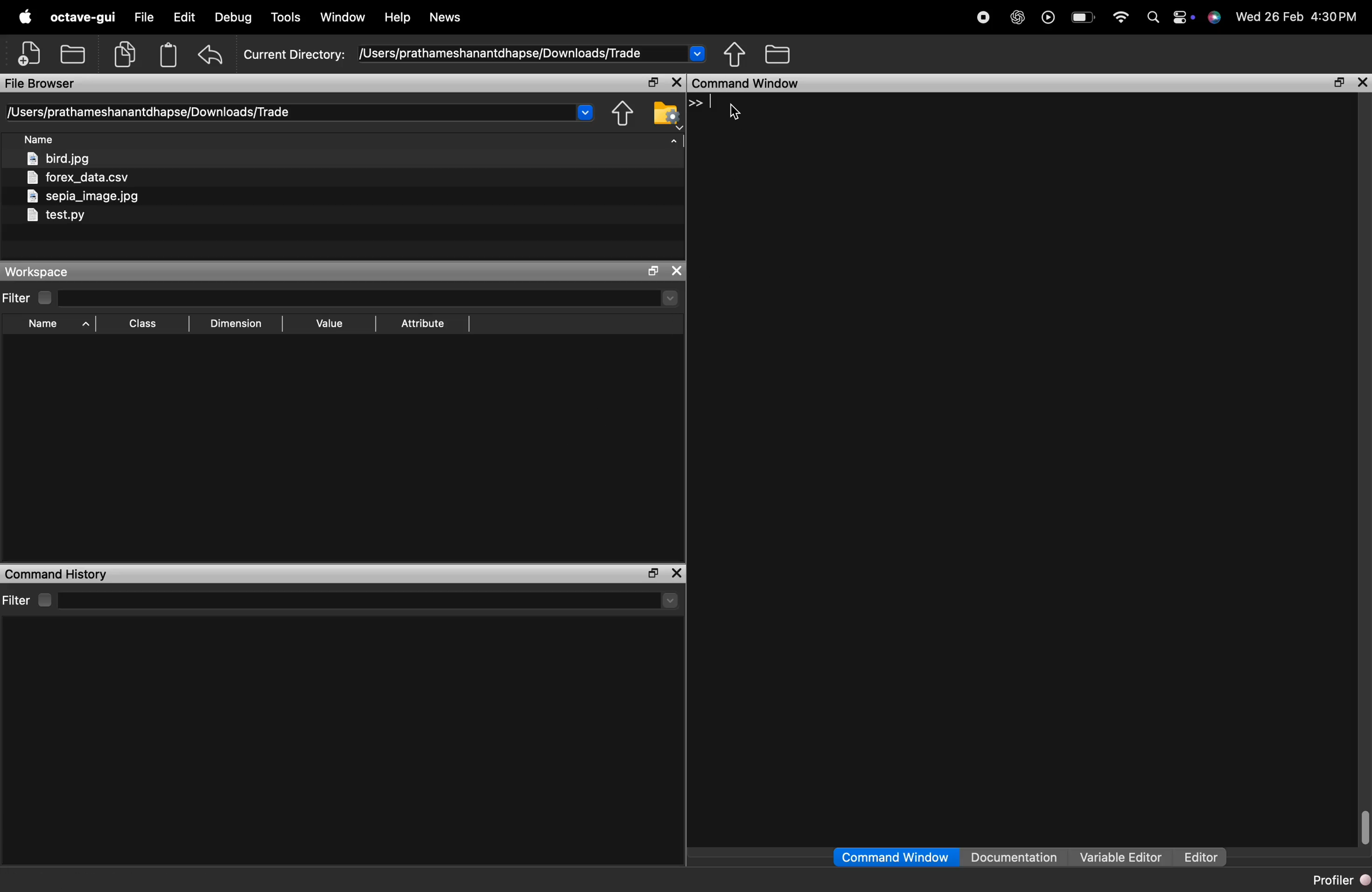 The image size is (1372, 892). I want to click on open in separate window, so click(653, 82).